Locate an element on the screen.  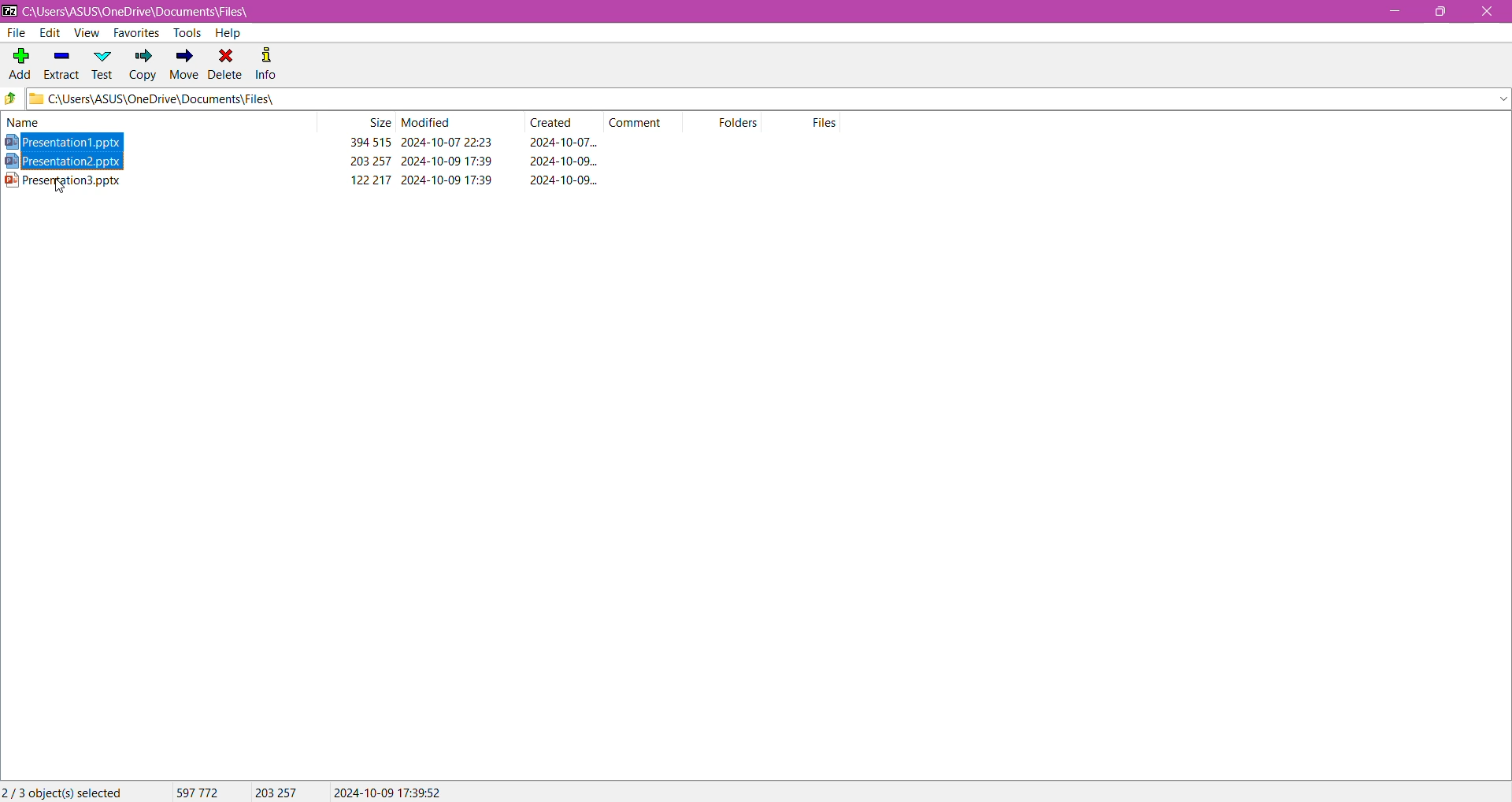
Folders is located at coordinates (745, 124).